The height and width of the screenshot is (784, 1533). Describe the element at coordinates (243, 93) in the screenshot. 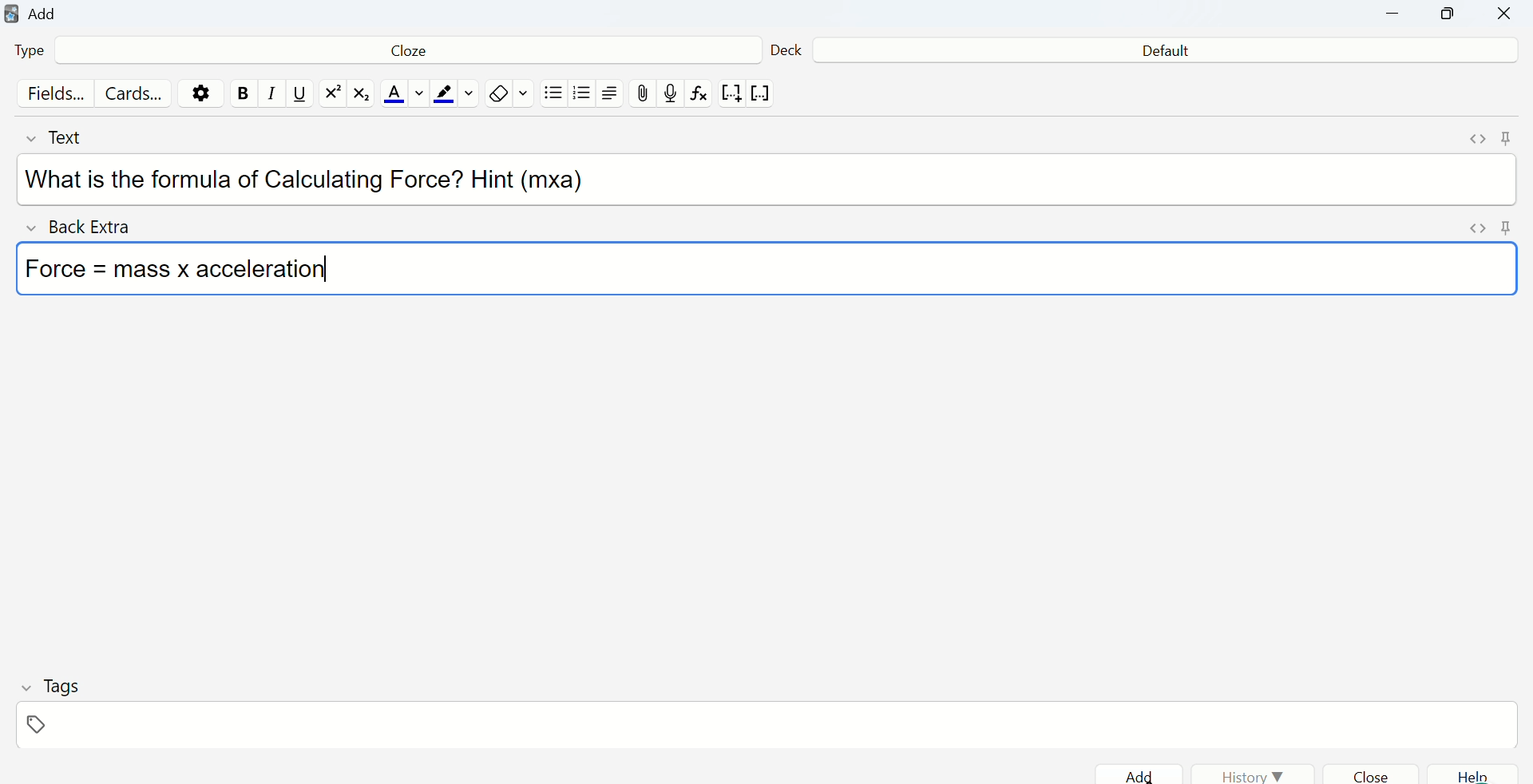

I see `Bold` at that location.